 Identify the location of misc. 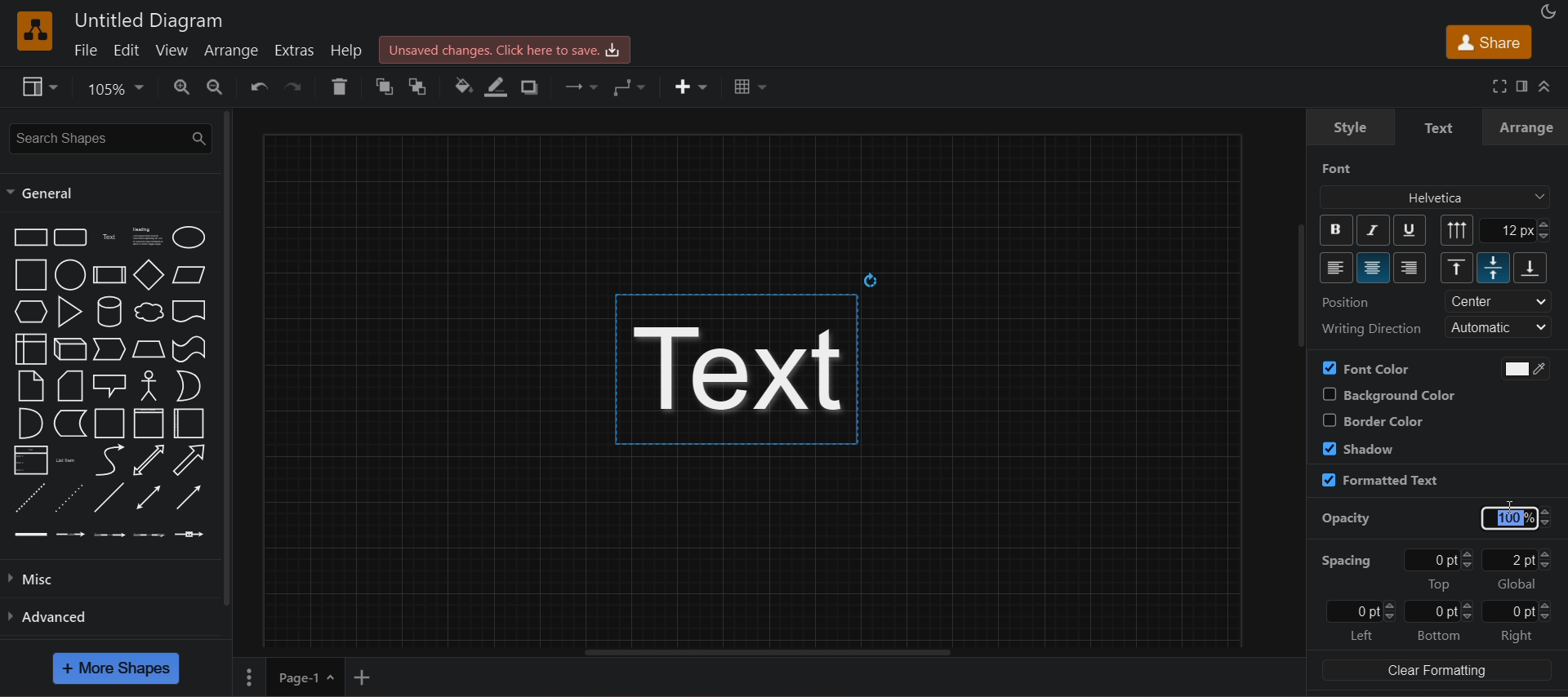
(107, 579).